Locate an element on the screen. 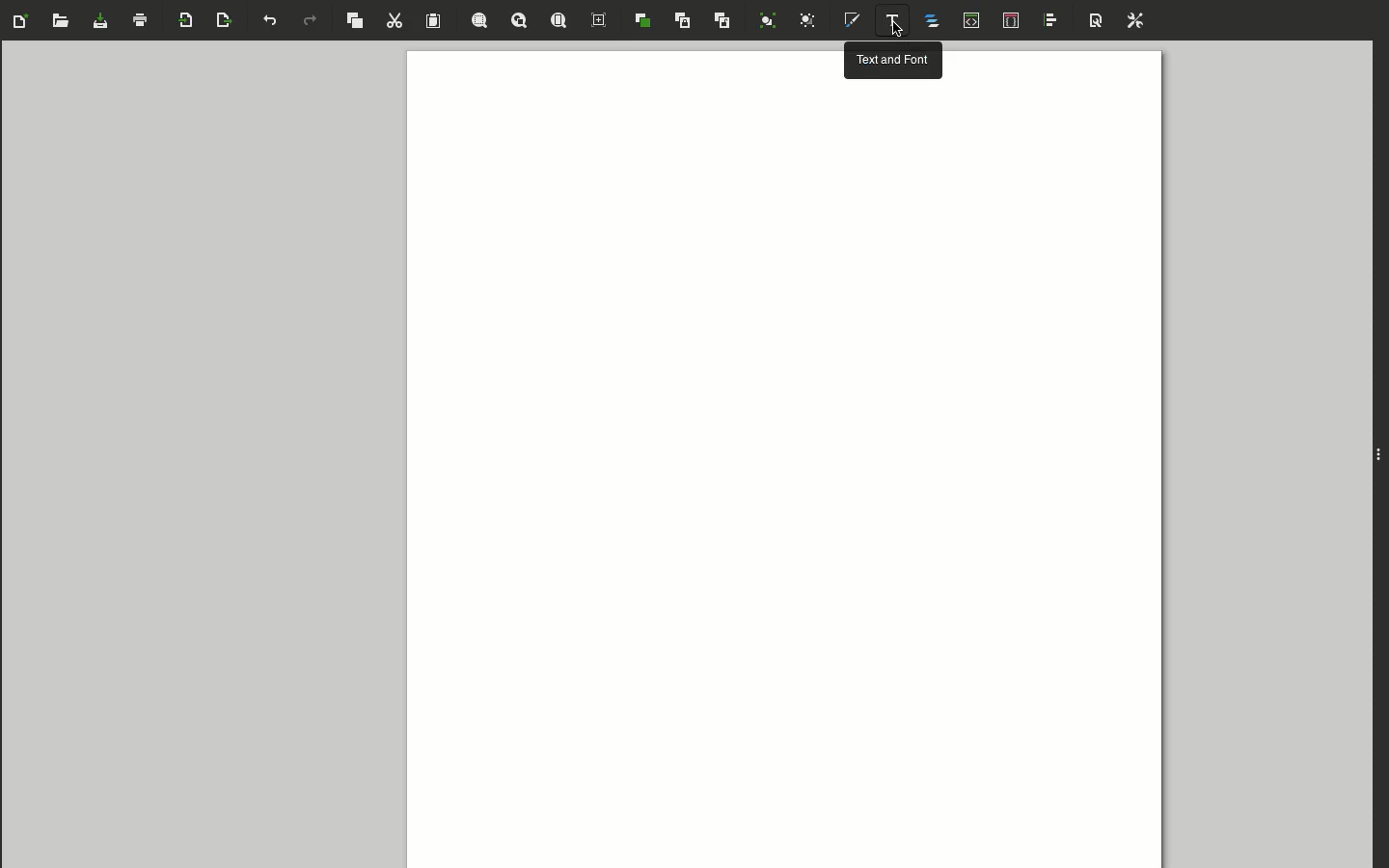  Align and distribute is located at coordinates (1053, 23).